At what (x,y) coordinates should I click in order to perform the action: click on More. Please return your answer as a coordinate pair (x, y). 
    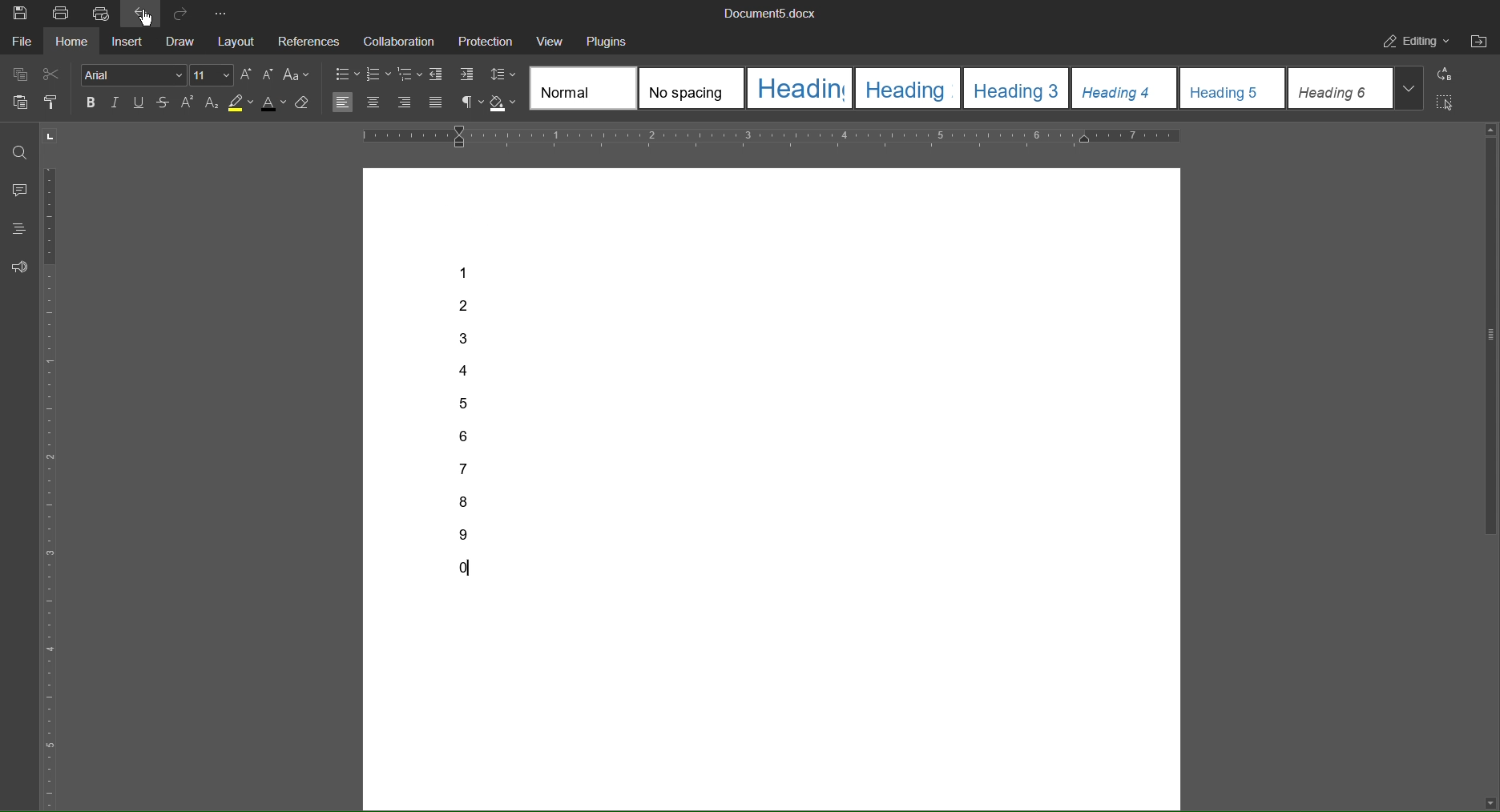
    Looking at the image, I should click on (222, 12).